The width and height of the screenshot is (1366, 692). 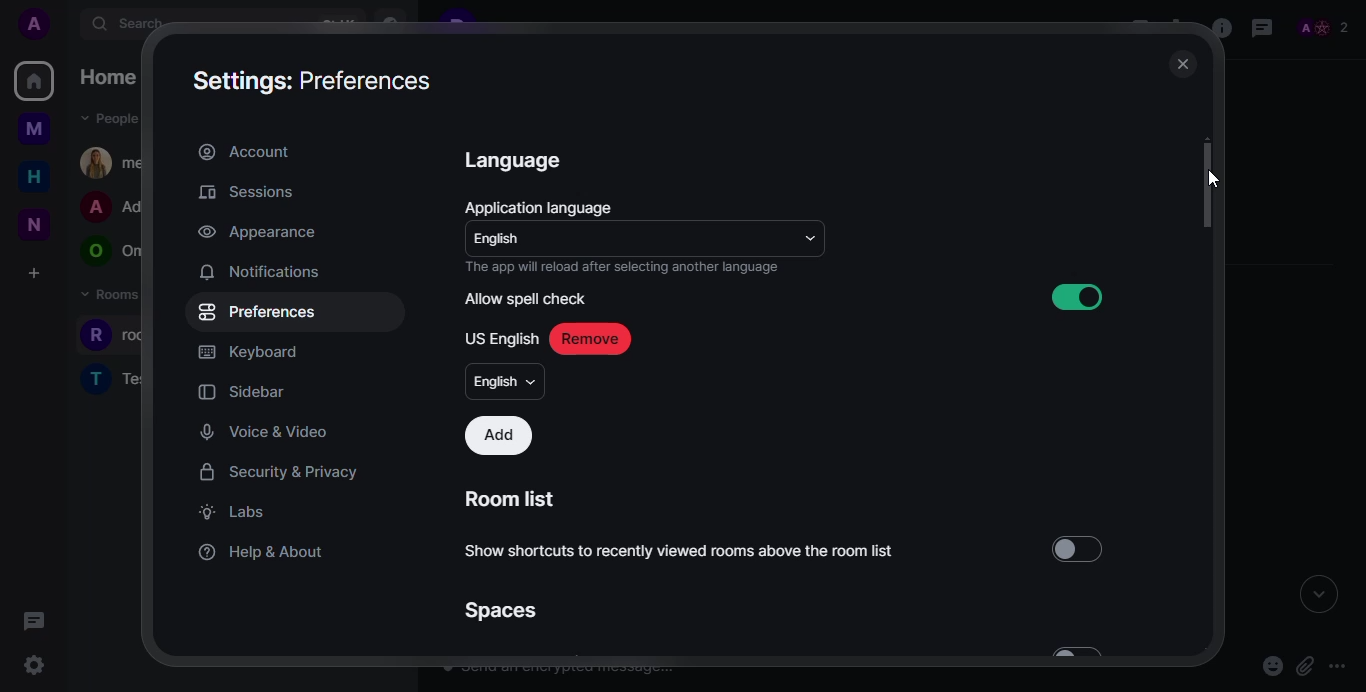 I want to click on remove, so click(x=589, y=339).